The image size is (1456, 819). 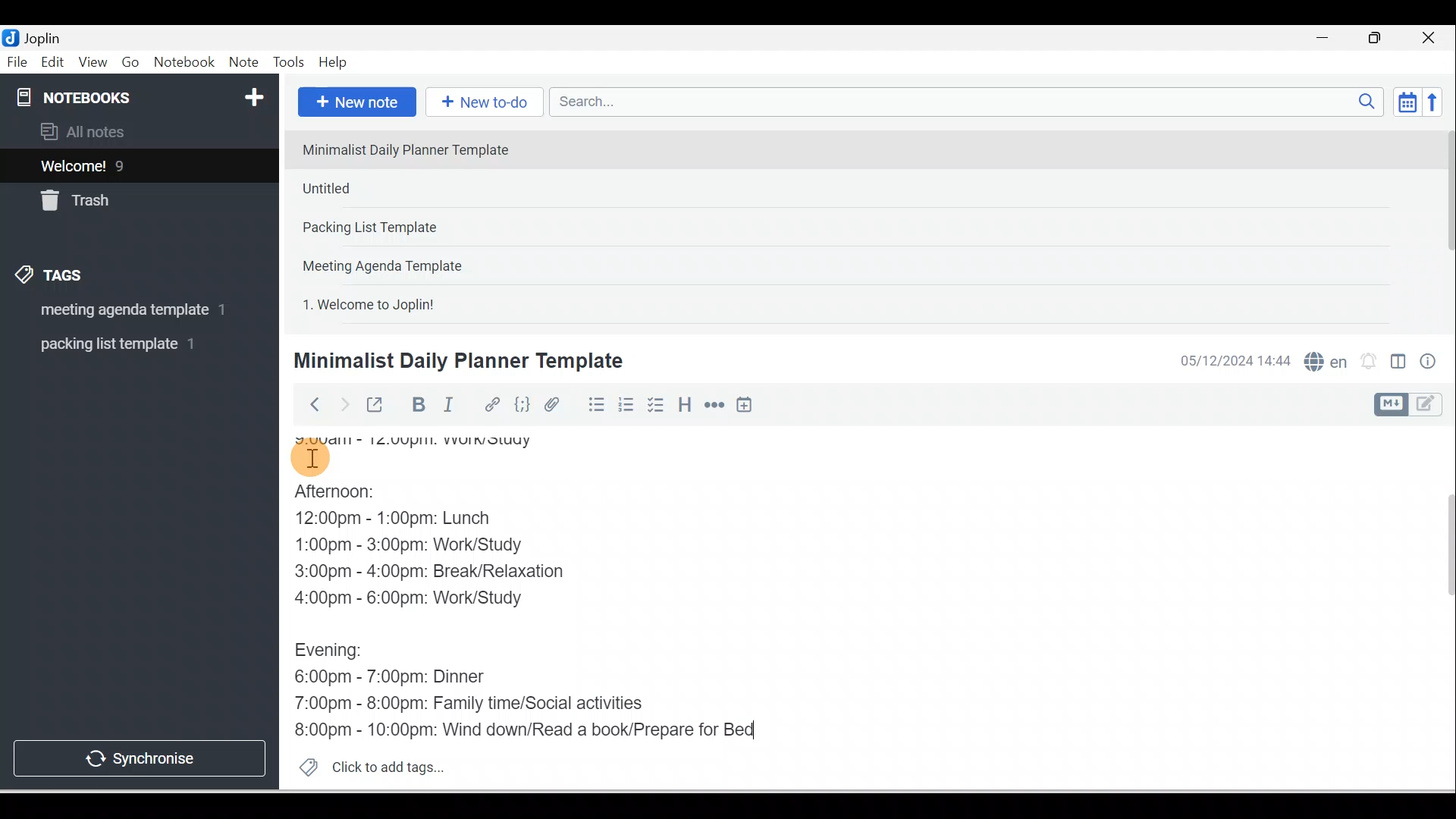 What do you see at coordinates (403, 262) in the screenshot?
I see `Note 4` at bounding box center [403, 262].